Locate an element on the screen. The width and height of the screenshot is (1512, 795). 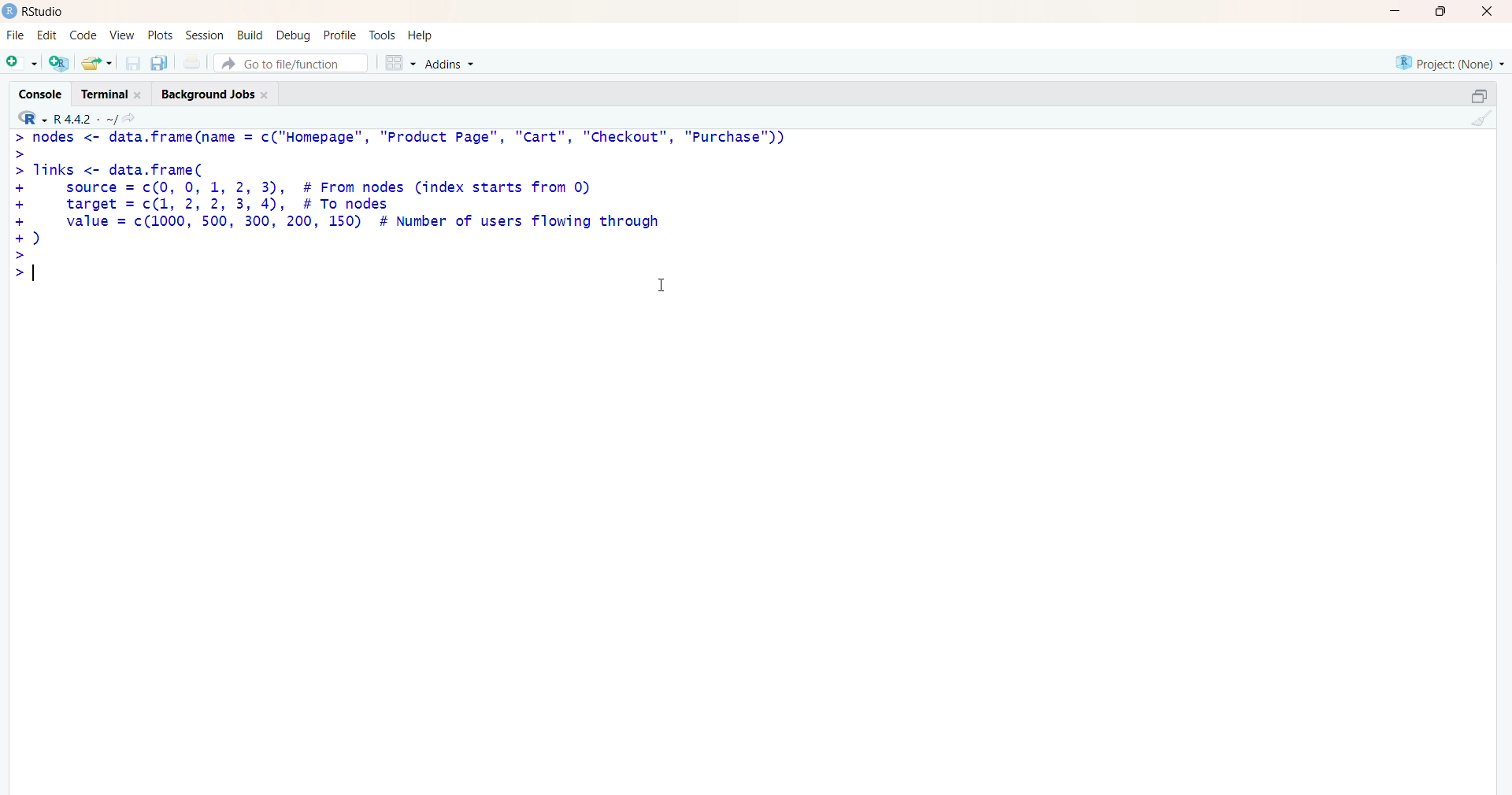
edit is located at coordinates (46, 35).